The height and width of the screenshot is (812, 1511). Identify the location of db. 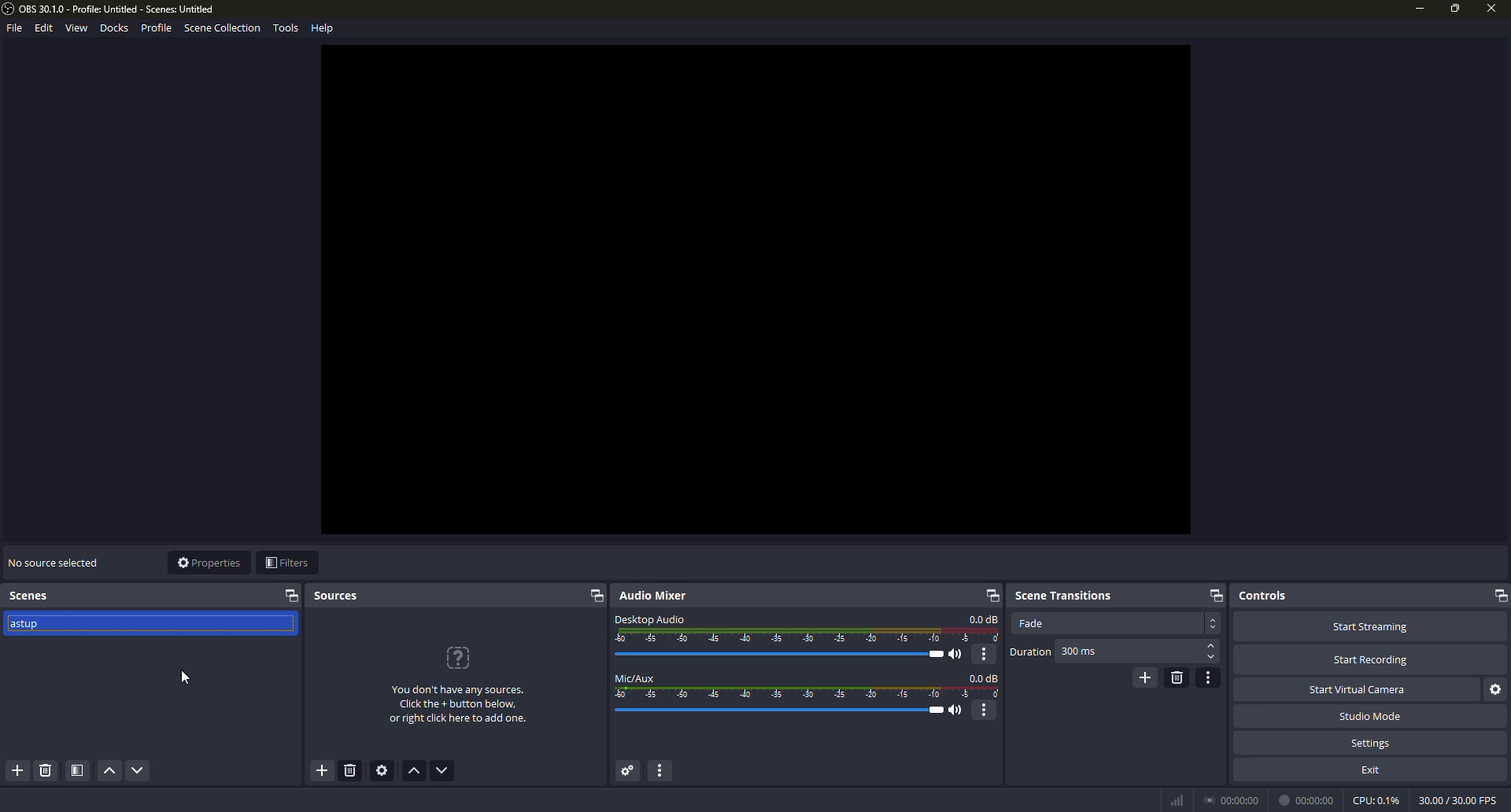
(985, 677).